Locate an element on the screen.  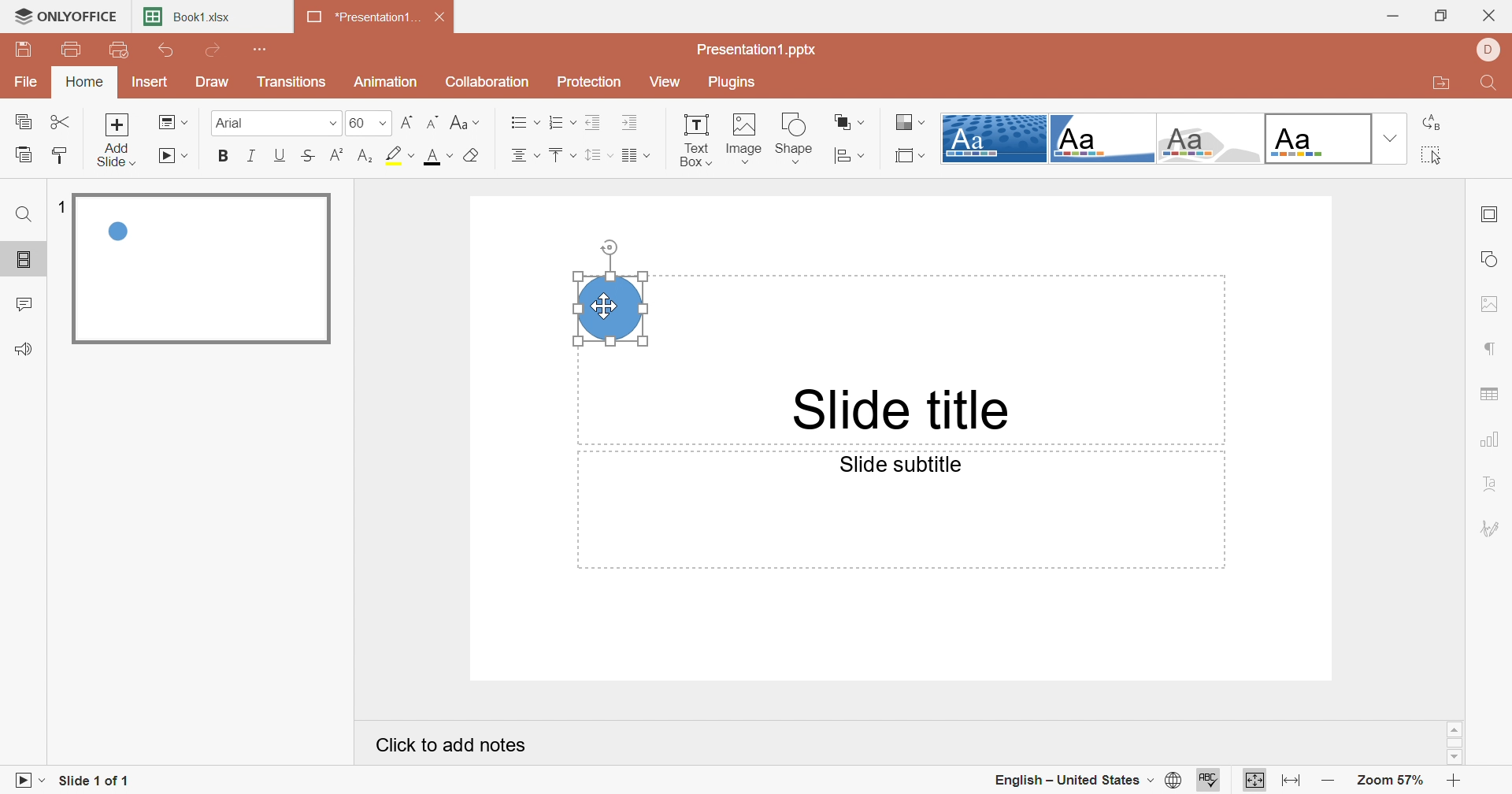
Shape is located at coordinates (795, 138).